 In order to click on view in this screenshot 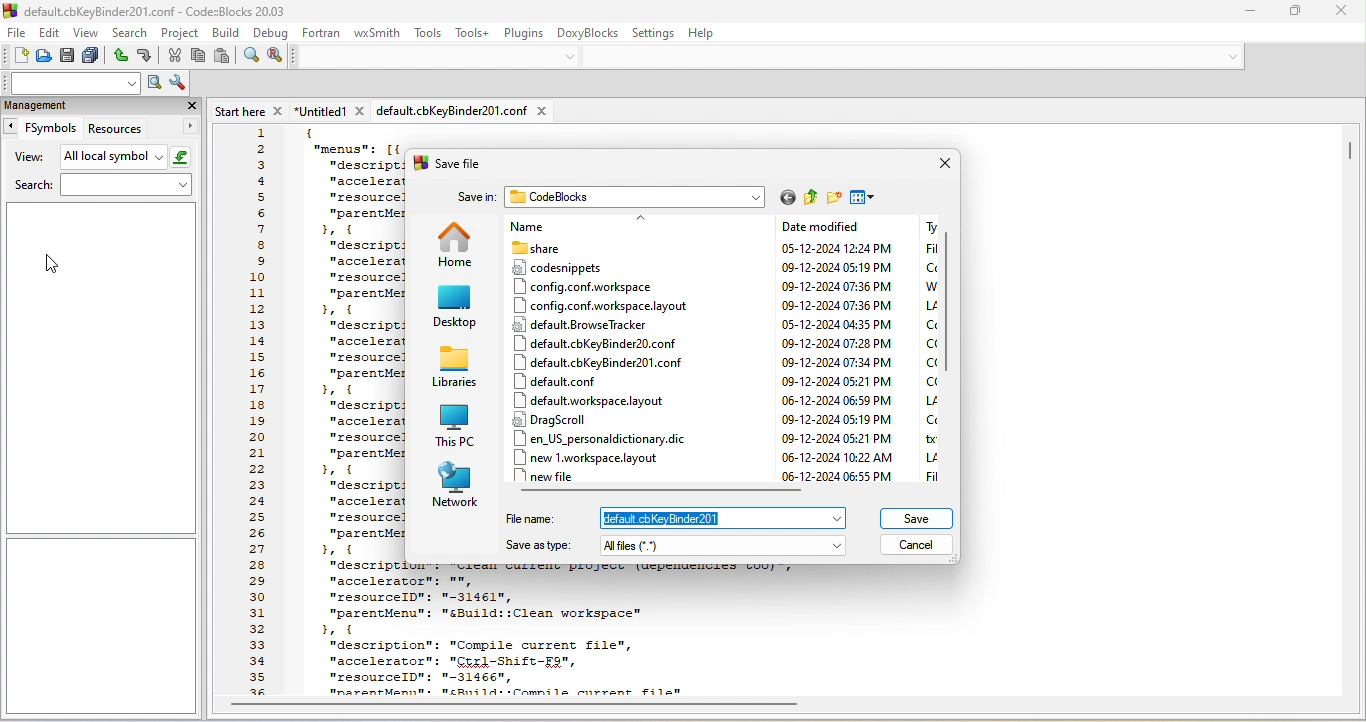, I will do `click(26, 158)`.